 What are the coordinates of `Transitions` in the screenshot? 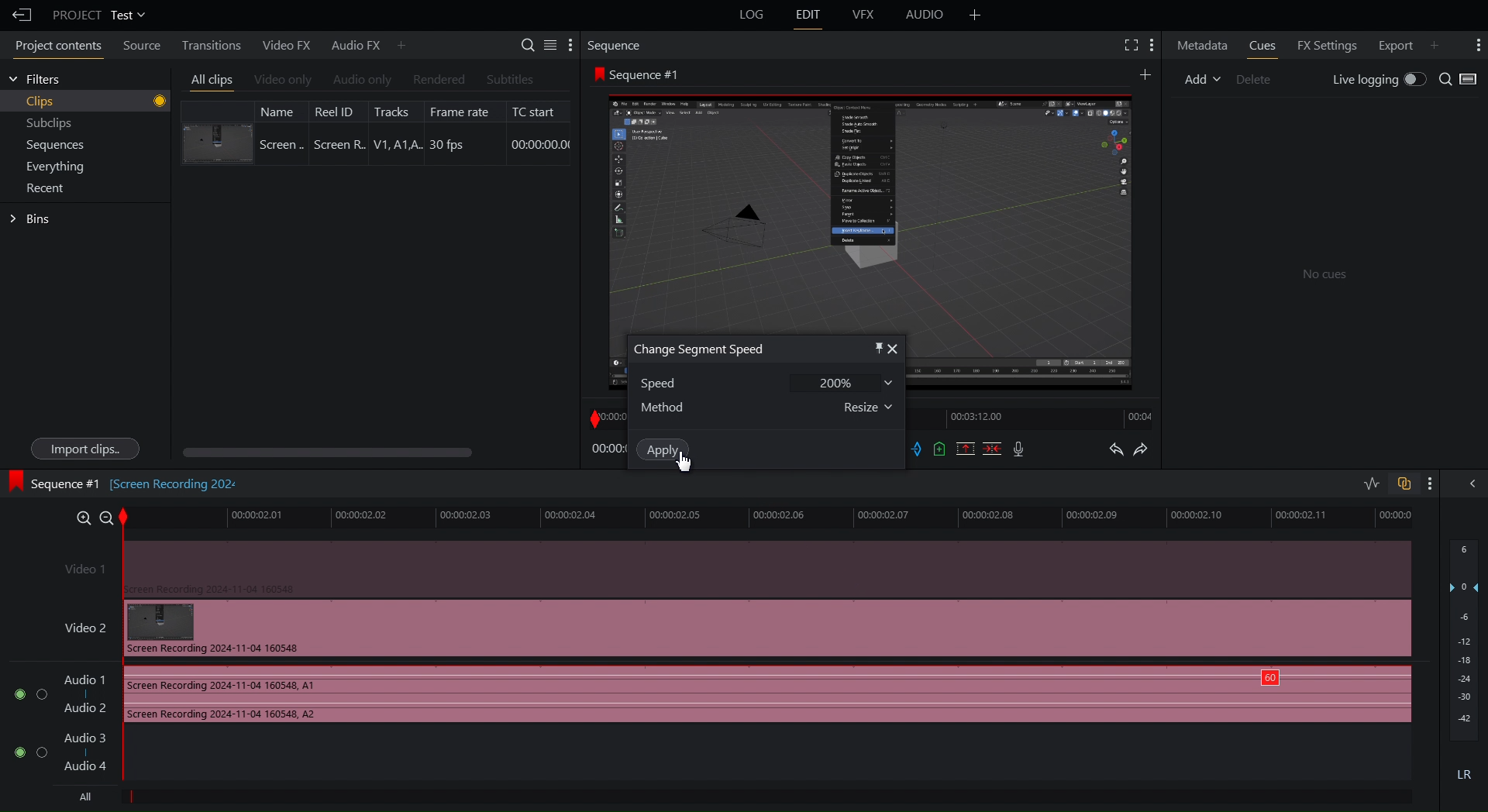 It's located at (207, 44).